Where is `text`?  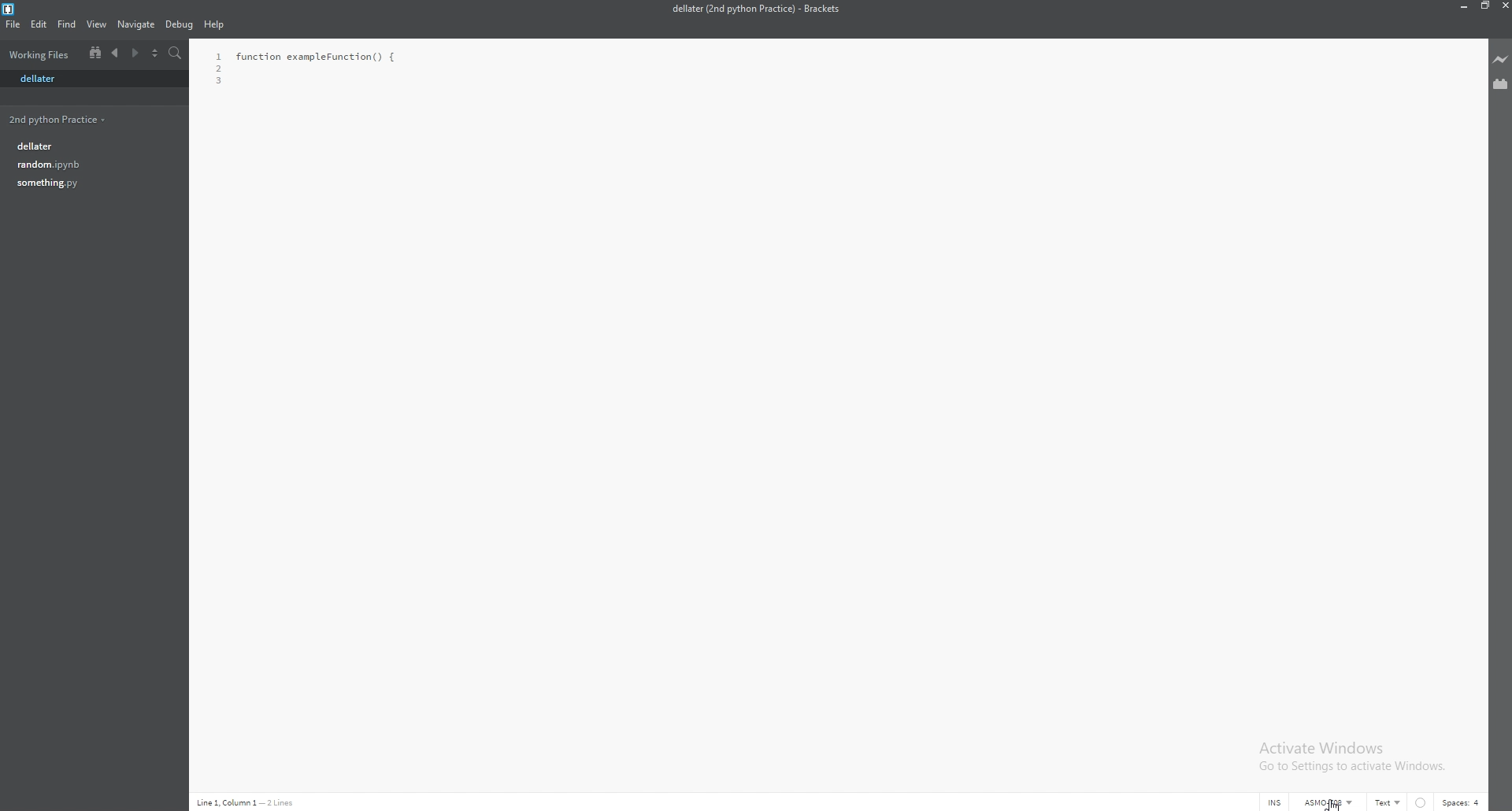
text is located at coordinates (1387, 803).